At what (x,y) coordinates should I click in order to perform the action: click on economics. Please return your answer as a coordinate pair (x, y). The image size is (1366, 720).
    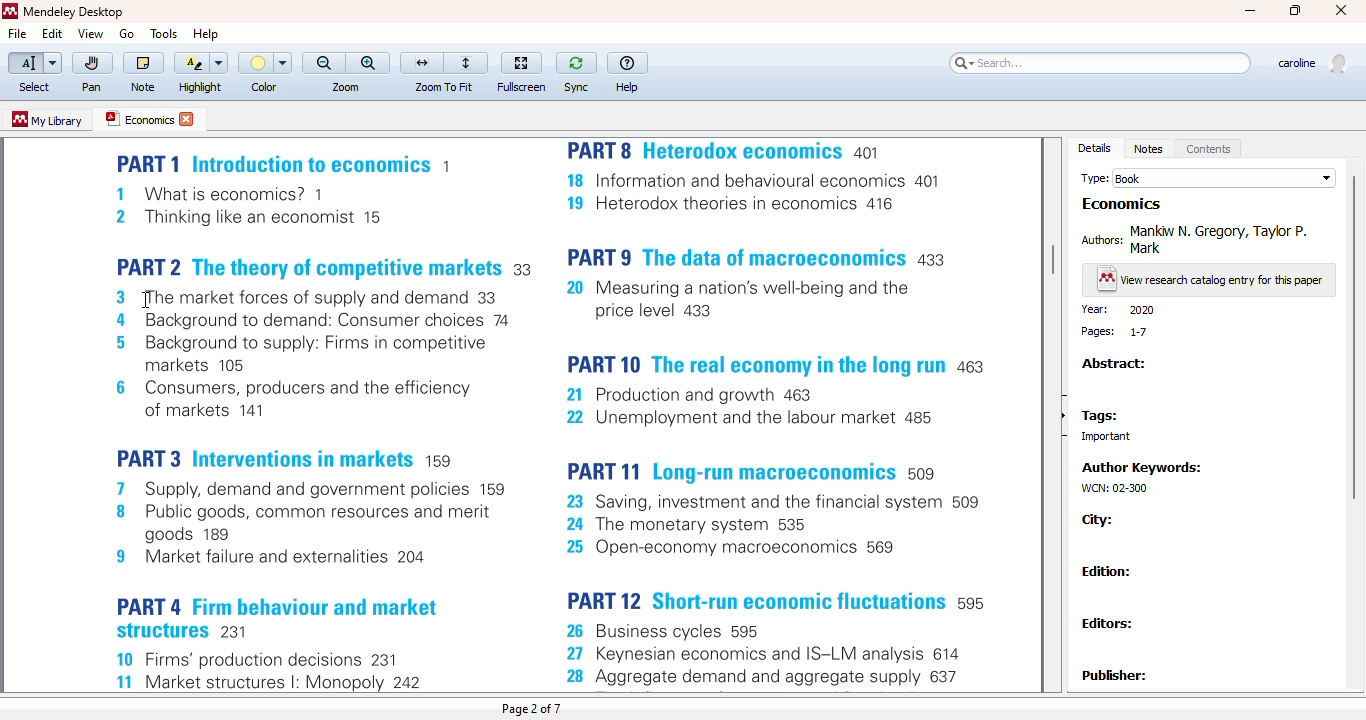
    Looking at the image, I should click on (1122, 204).